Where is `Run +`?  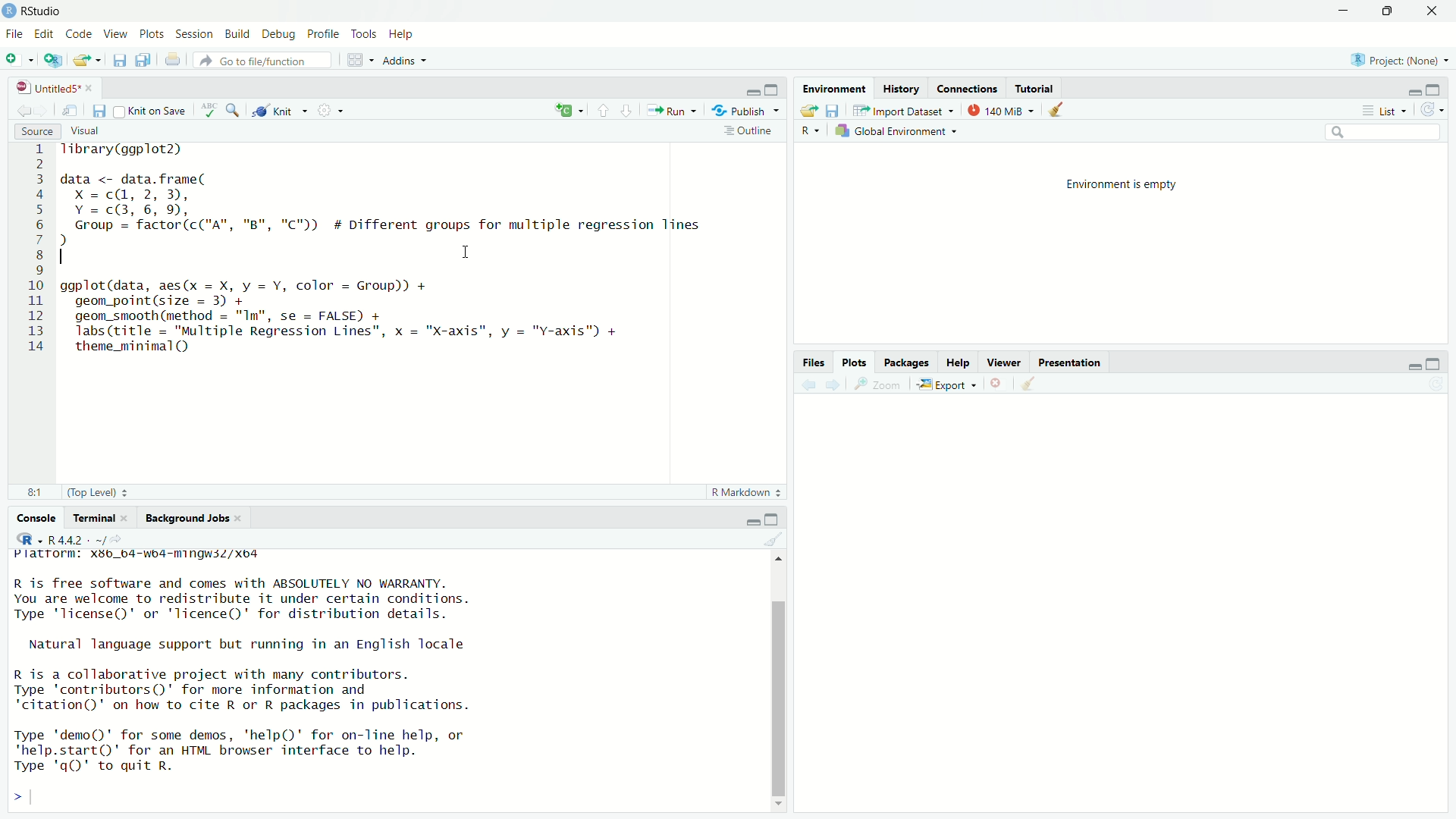 Run + is located at coordinates (676, 110).